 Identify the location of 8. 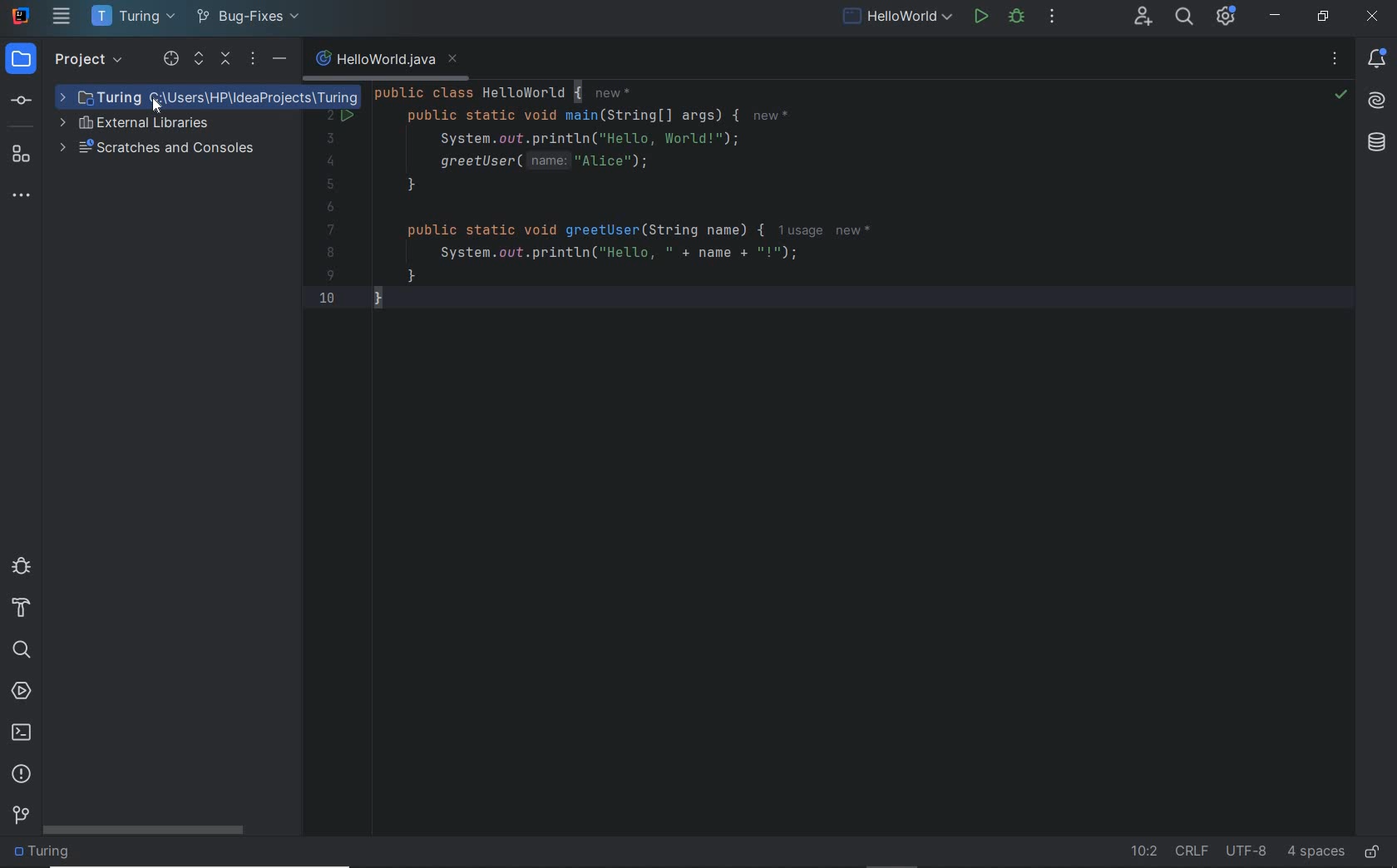
(330, 253).